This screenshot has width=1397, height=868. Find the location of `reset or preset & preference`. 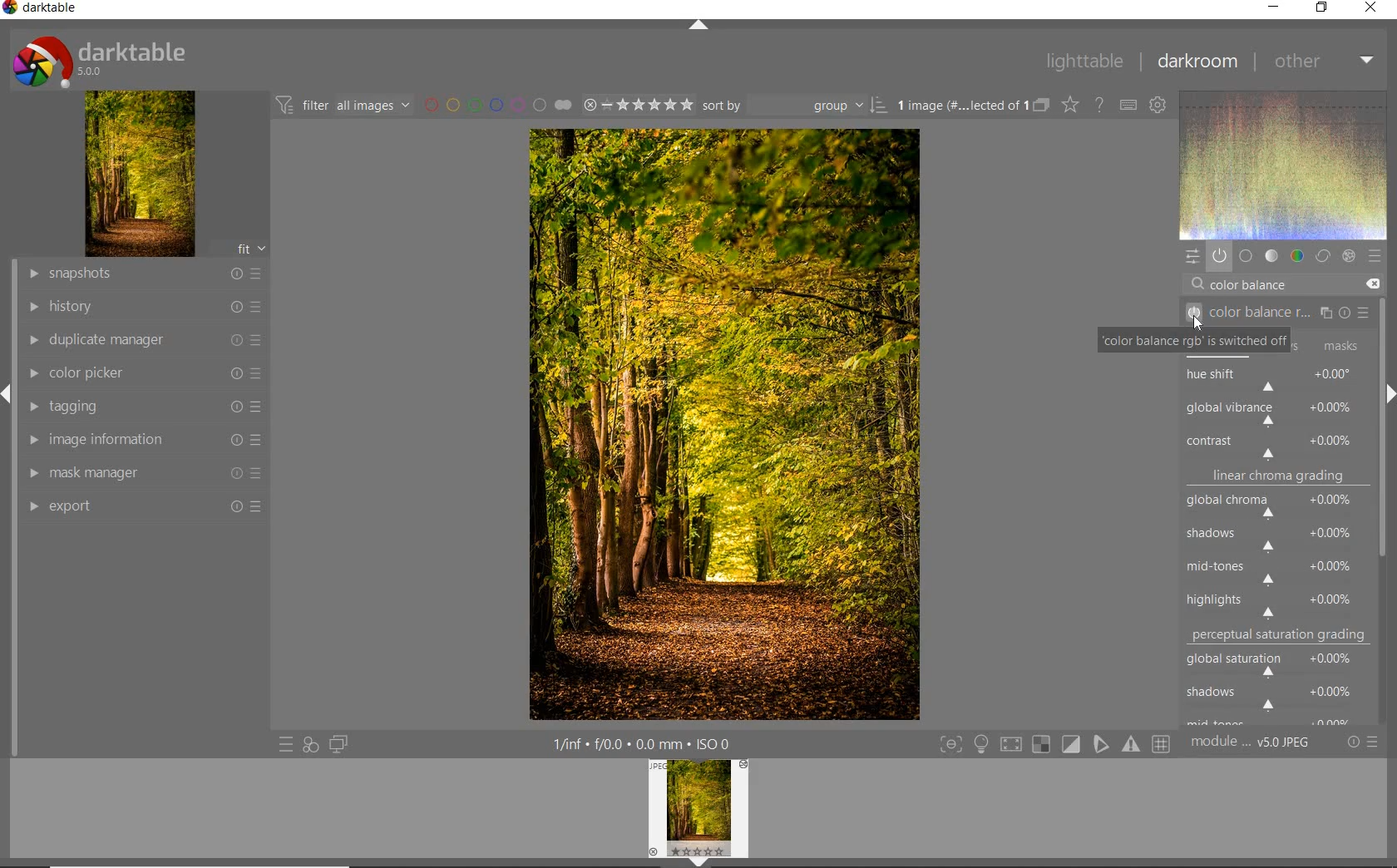

reset or preset & preference is located at coordinates (1361, 742).